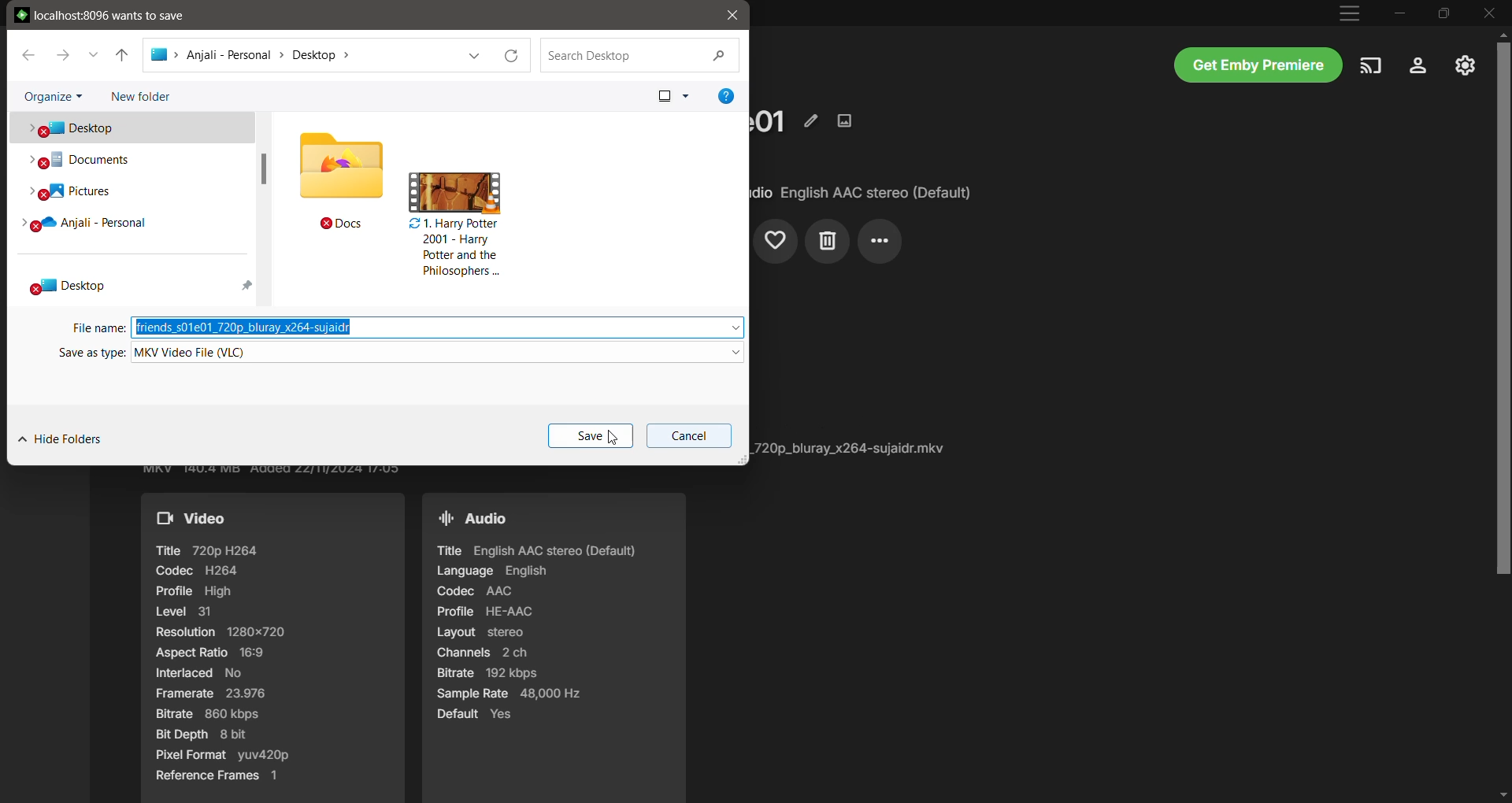 The image size is (1512, 803). I want to click on New Folder, so click(143, 97).